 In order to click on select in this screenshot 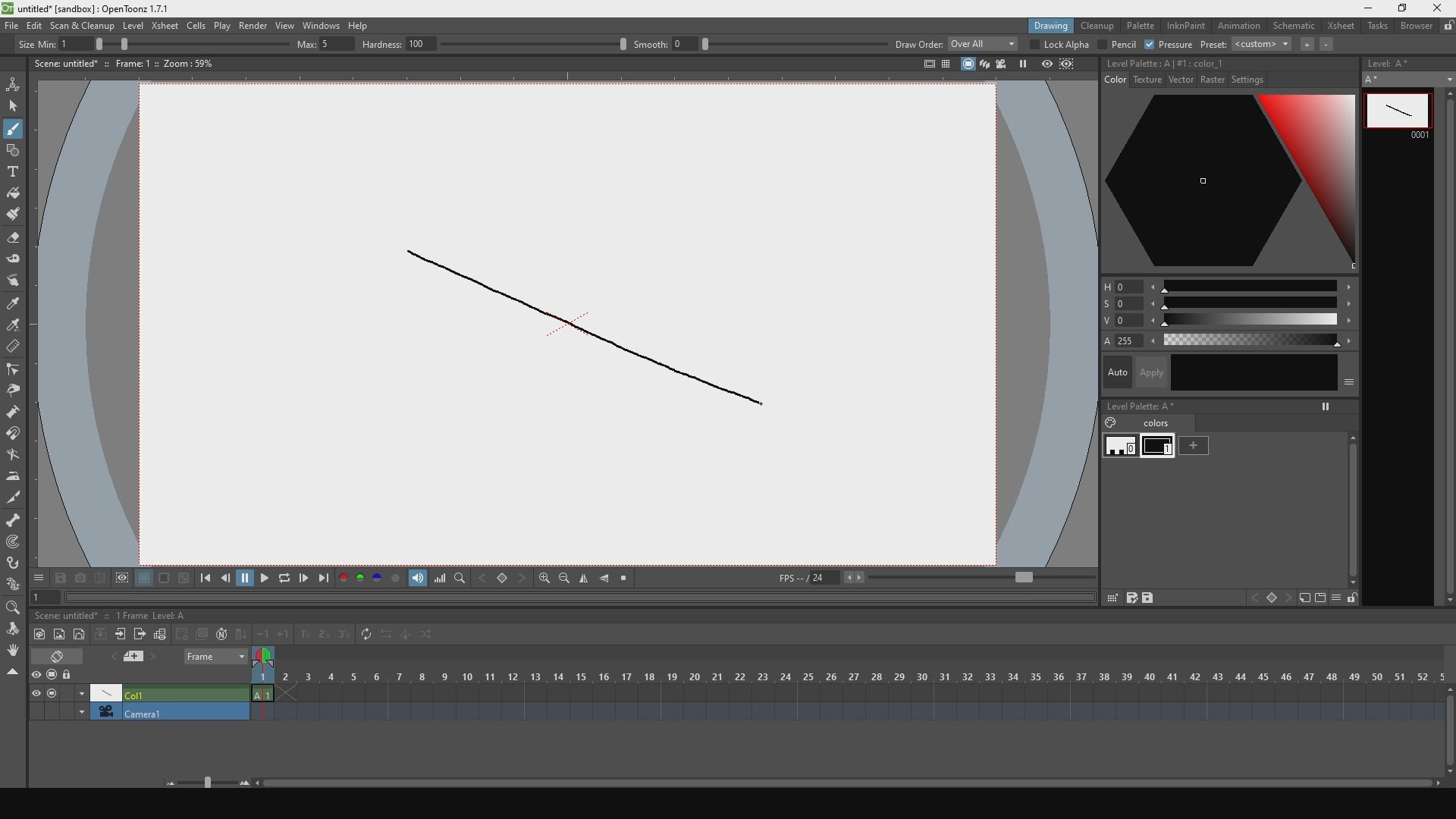, I will do `click(14, 106)`.